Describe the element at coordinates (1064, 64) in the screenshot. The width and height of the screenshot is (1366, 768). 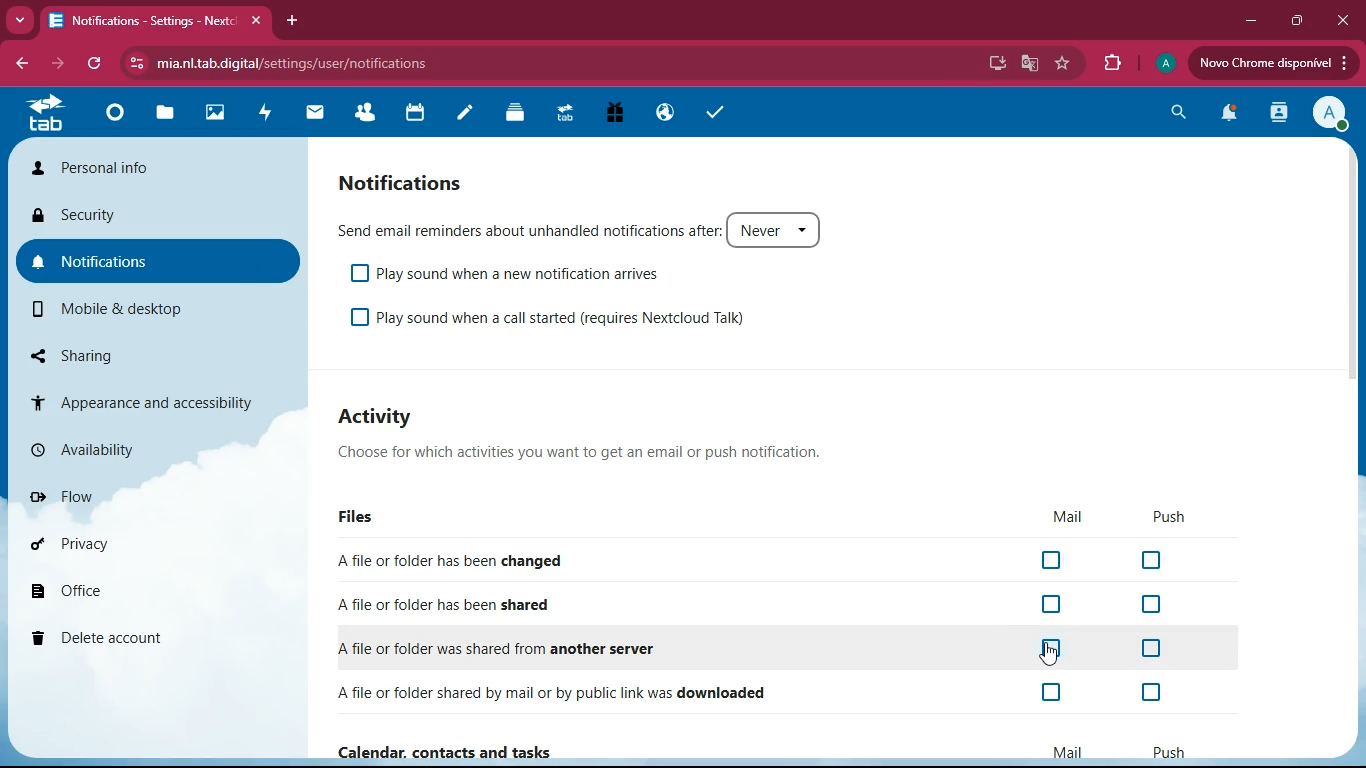
I see `favorite` at that location.